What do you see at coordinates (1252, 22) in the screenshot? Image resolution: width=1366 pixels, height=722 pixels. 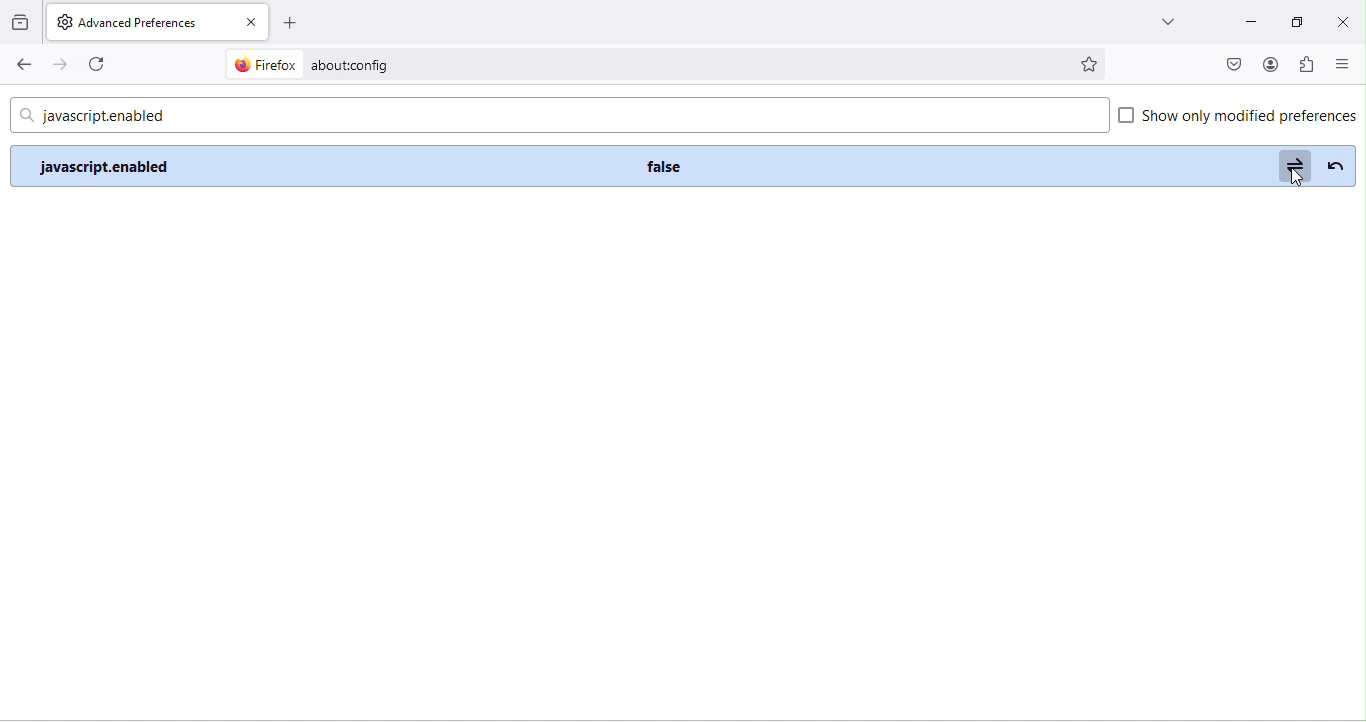 I see `minimize` at bounding box center [1252, 22].